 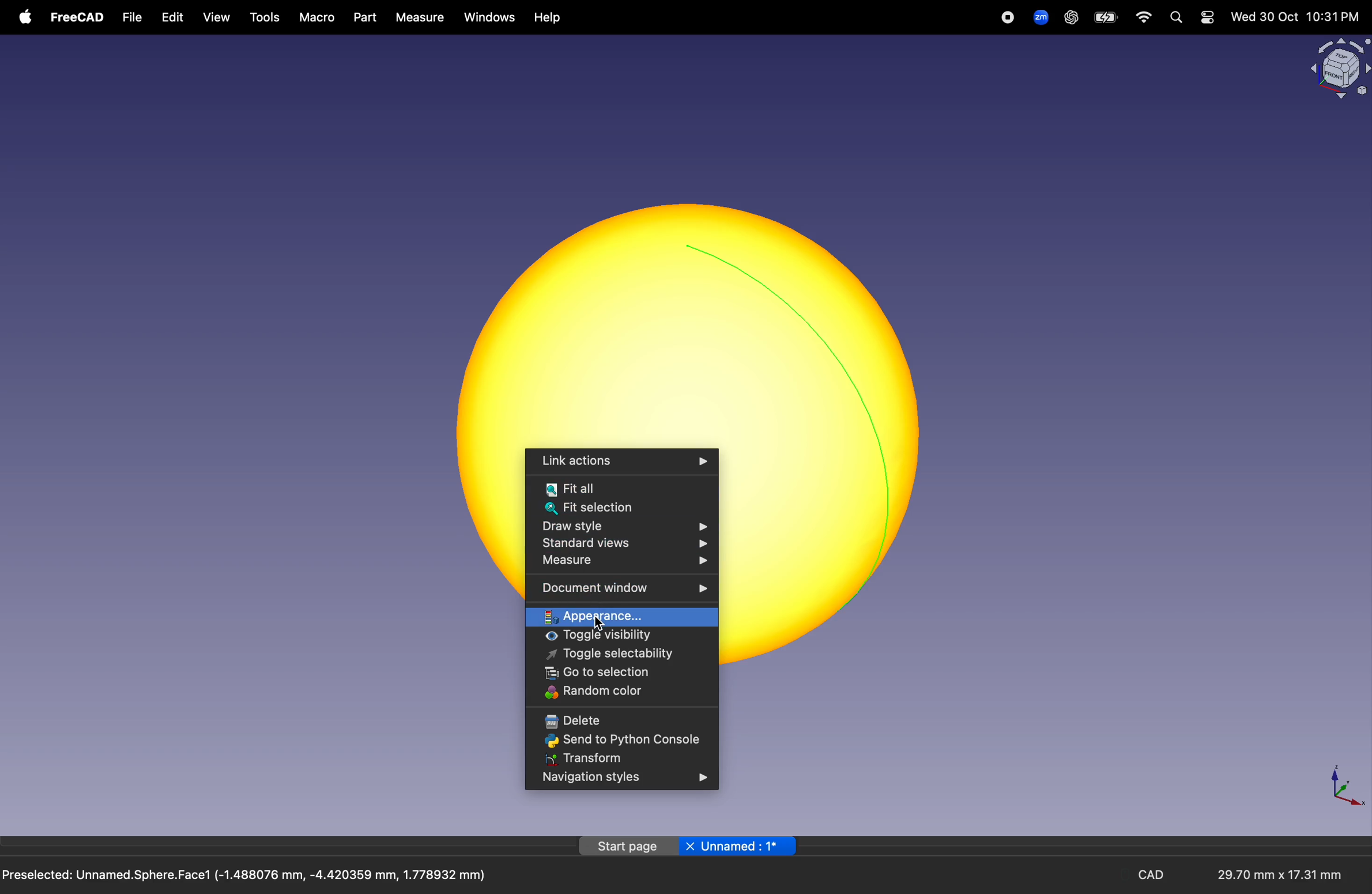 I want to click on zoom, so click(x=1038, y=16).